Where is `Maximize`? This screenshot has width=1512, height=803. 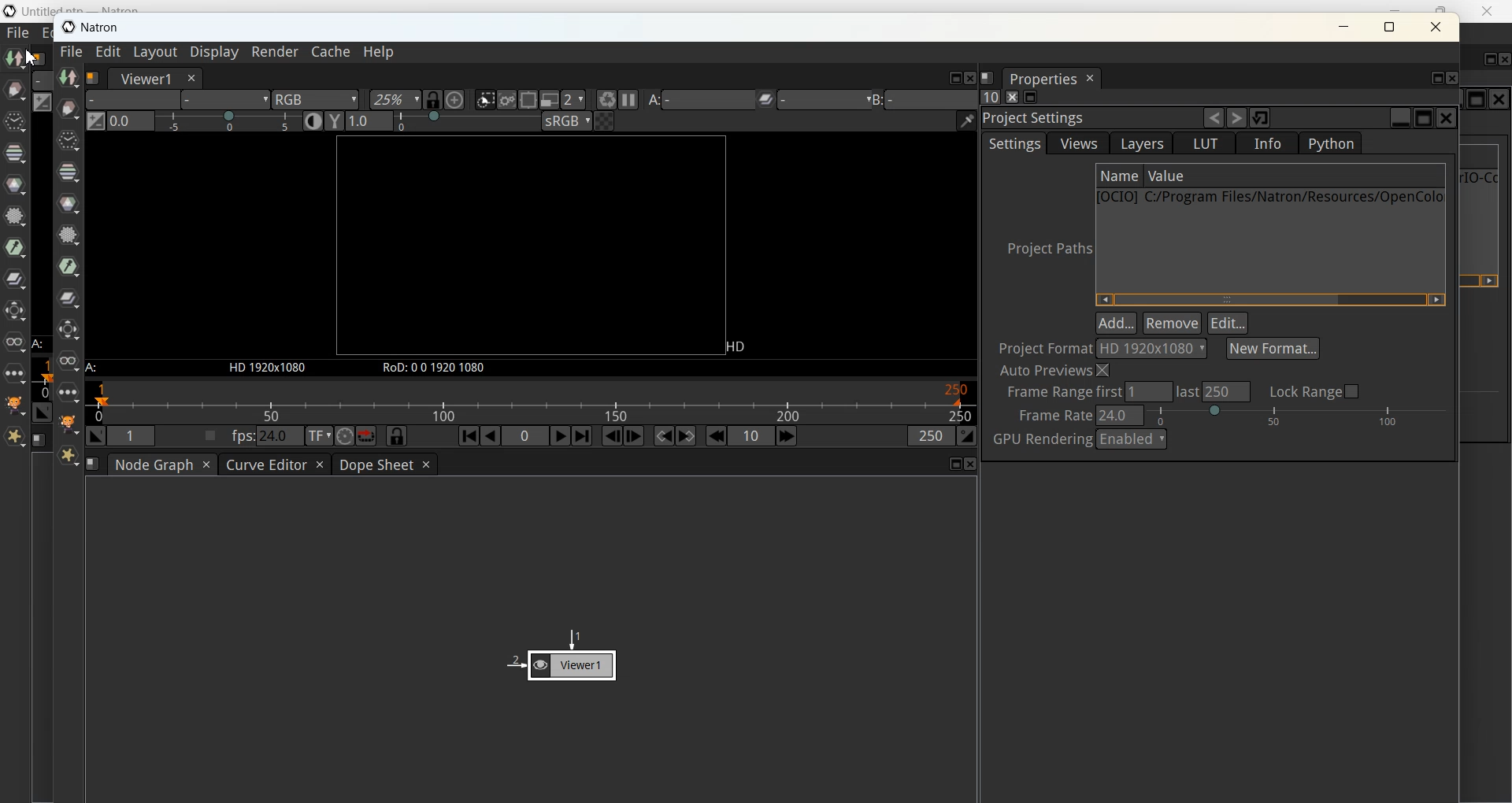
Maximize is located at coordinates (1477, 98).